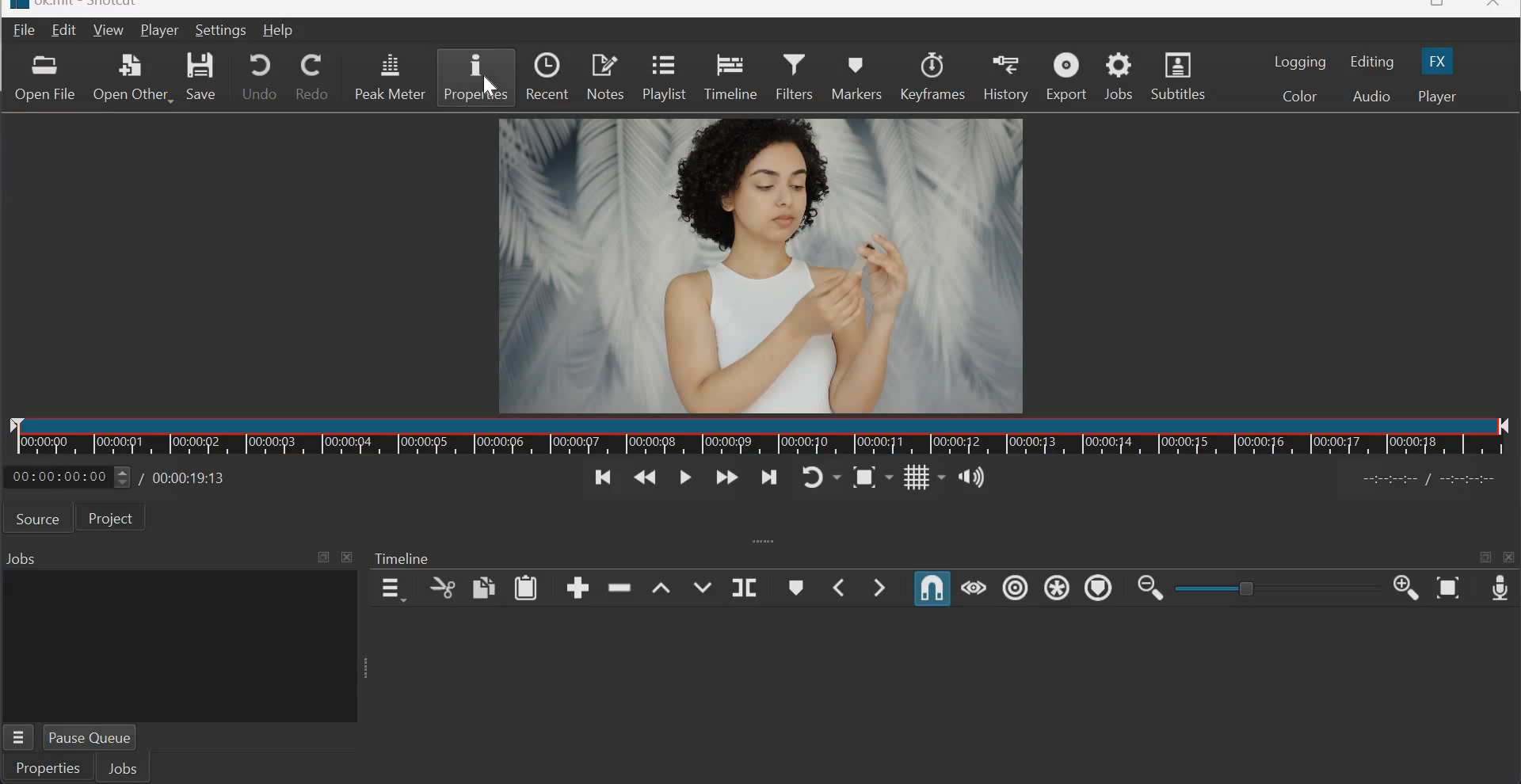 This screenshot has height=784, width=1521. Describe the element at coordinates (822, 477) in the screenshot. I see `Toggle player looping` at that location.